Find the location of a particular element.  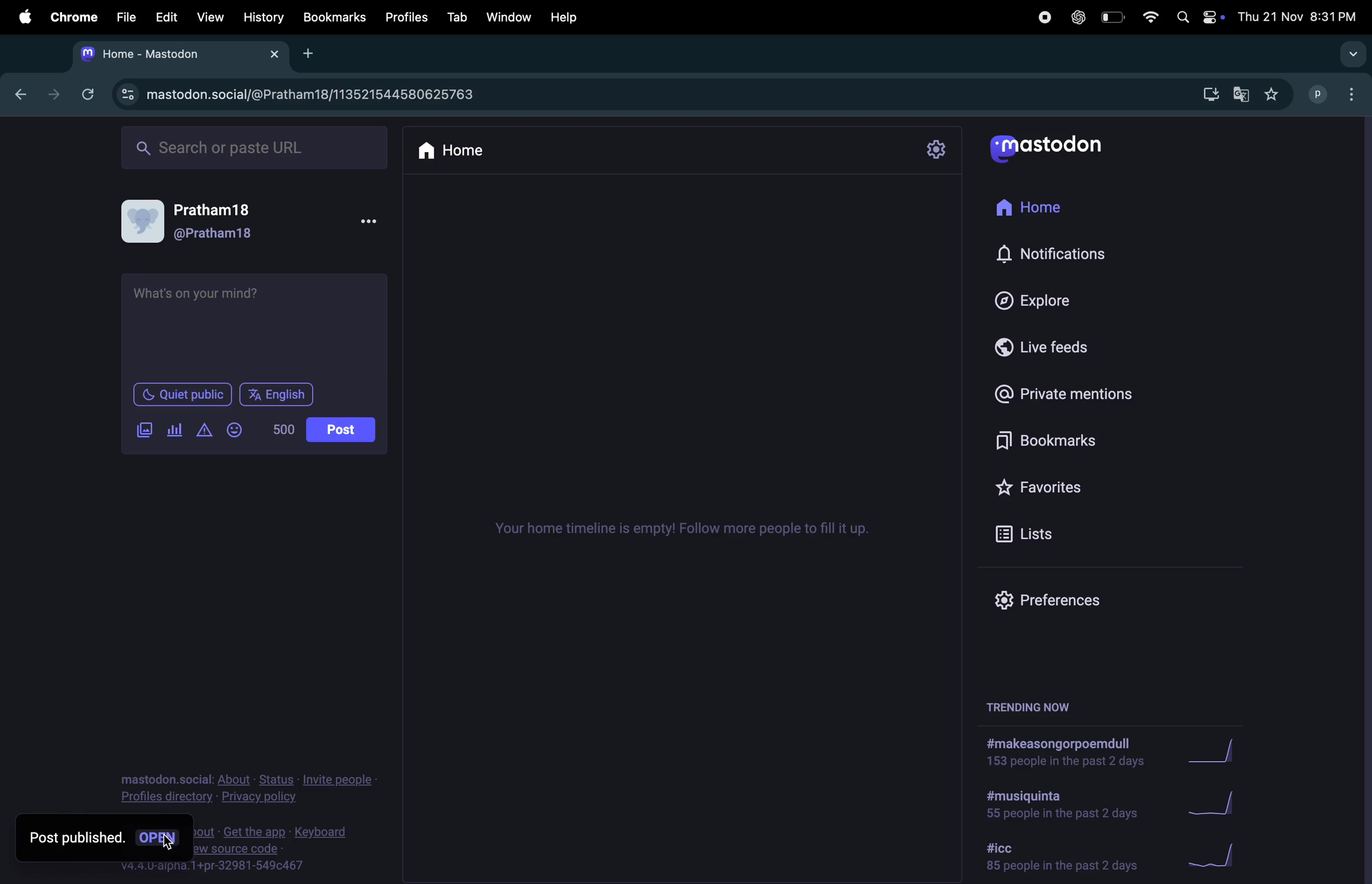

Edit is located at coordinates (166, 14).